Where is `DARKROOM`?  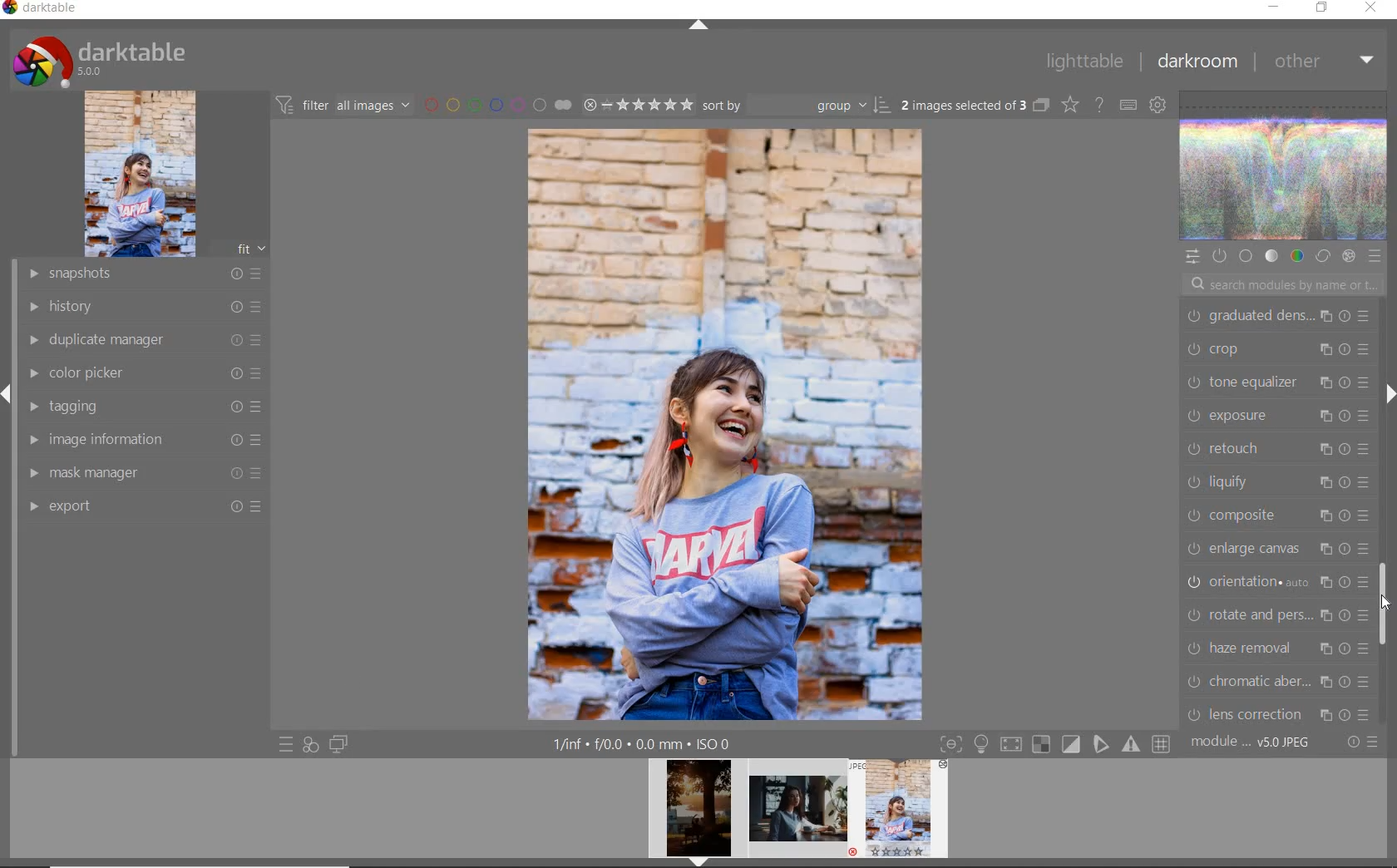 DARKROOM is located at coordinates (1197, 62).